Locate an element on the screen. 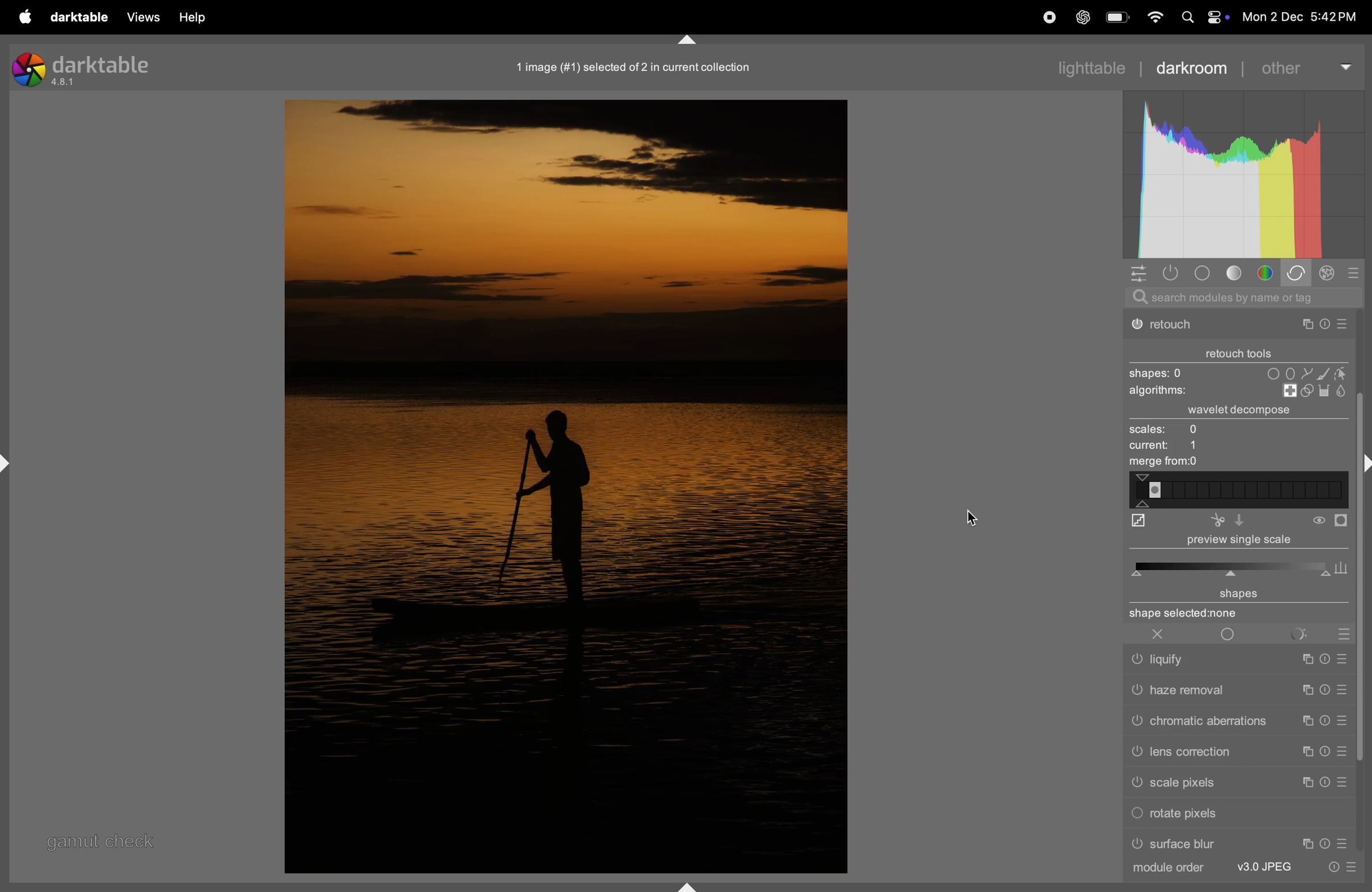 This screenshot has width=1372, height=892. expand is located at coordinates (691, 884).